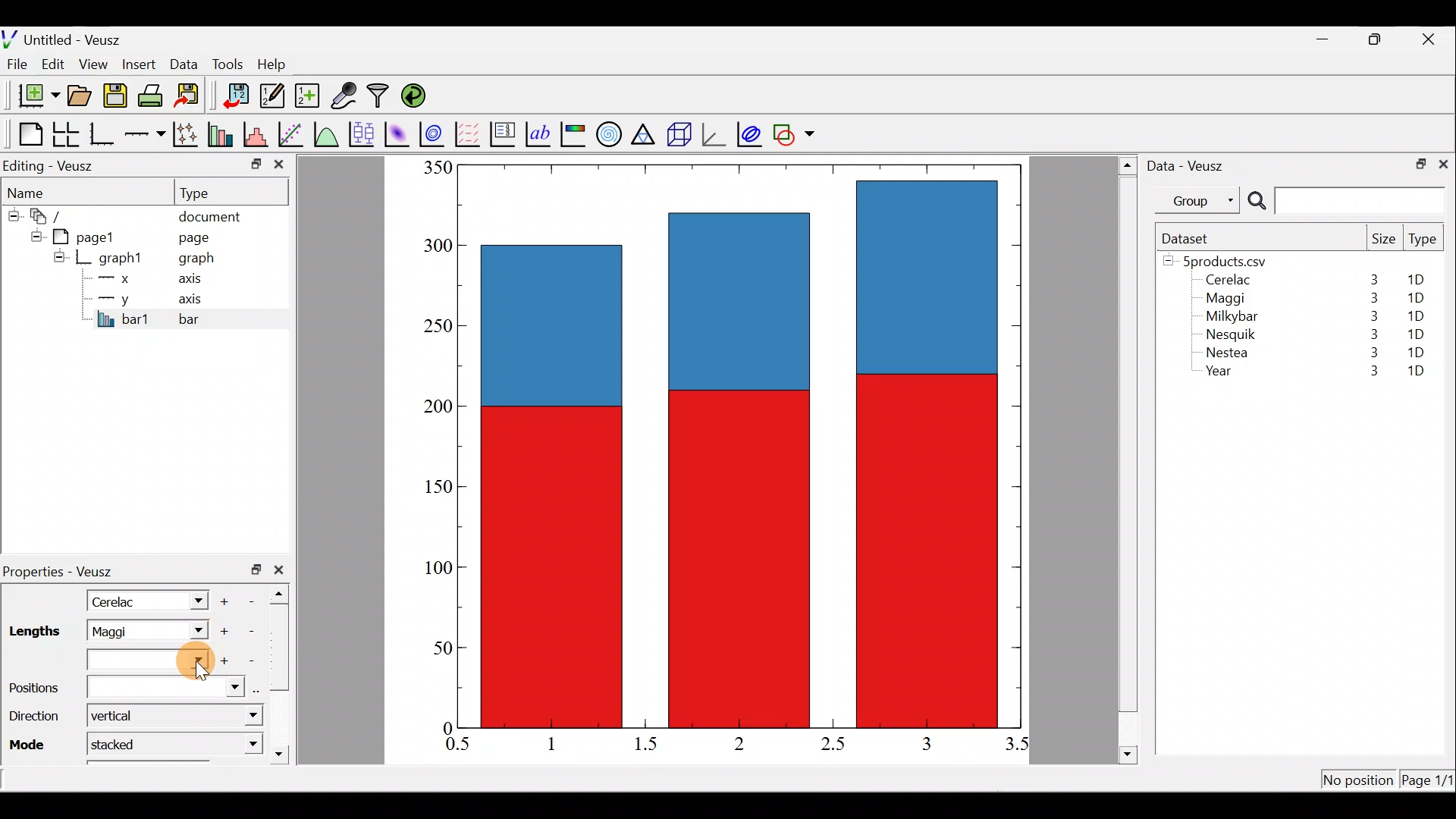  Describe the element at coordinates (417, 95) in the screenshot. I see `Reload linked datasets` at that location.